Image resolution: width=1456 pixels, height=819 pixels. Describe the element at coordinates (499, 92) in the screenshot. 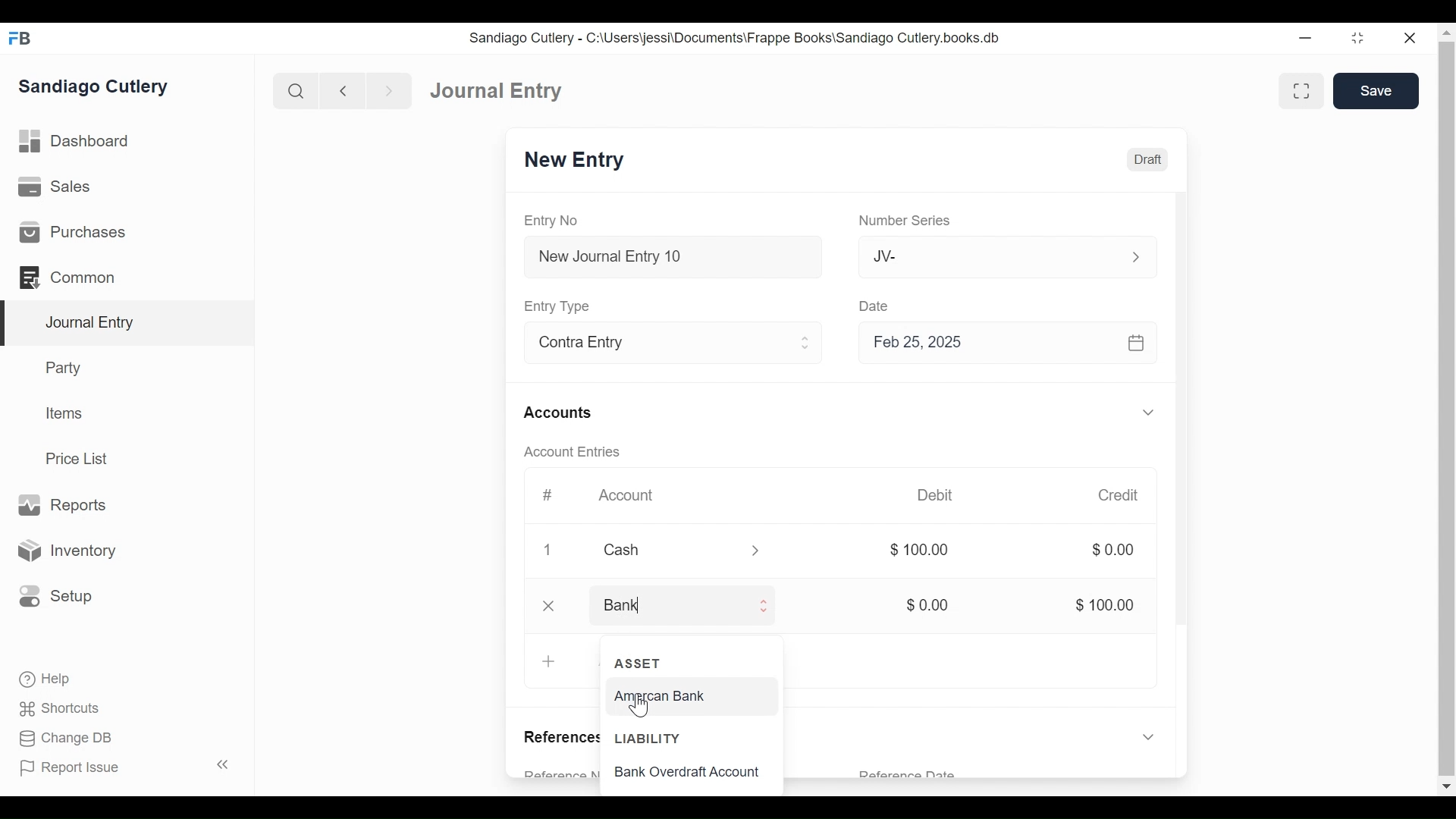

I see `Journal Entry` at that location.